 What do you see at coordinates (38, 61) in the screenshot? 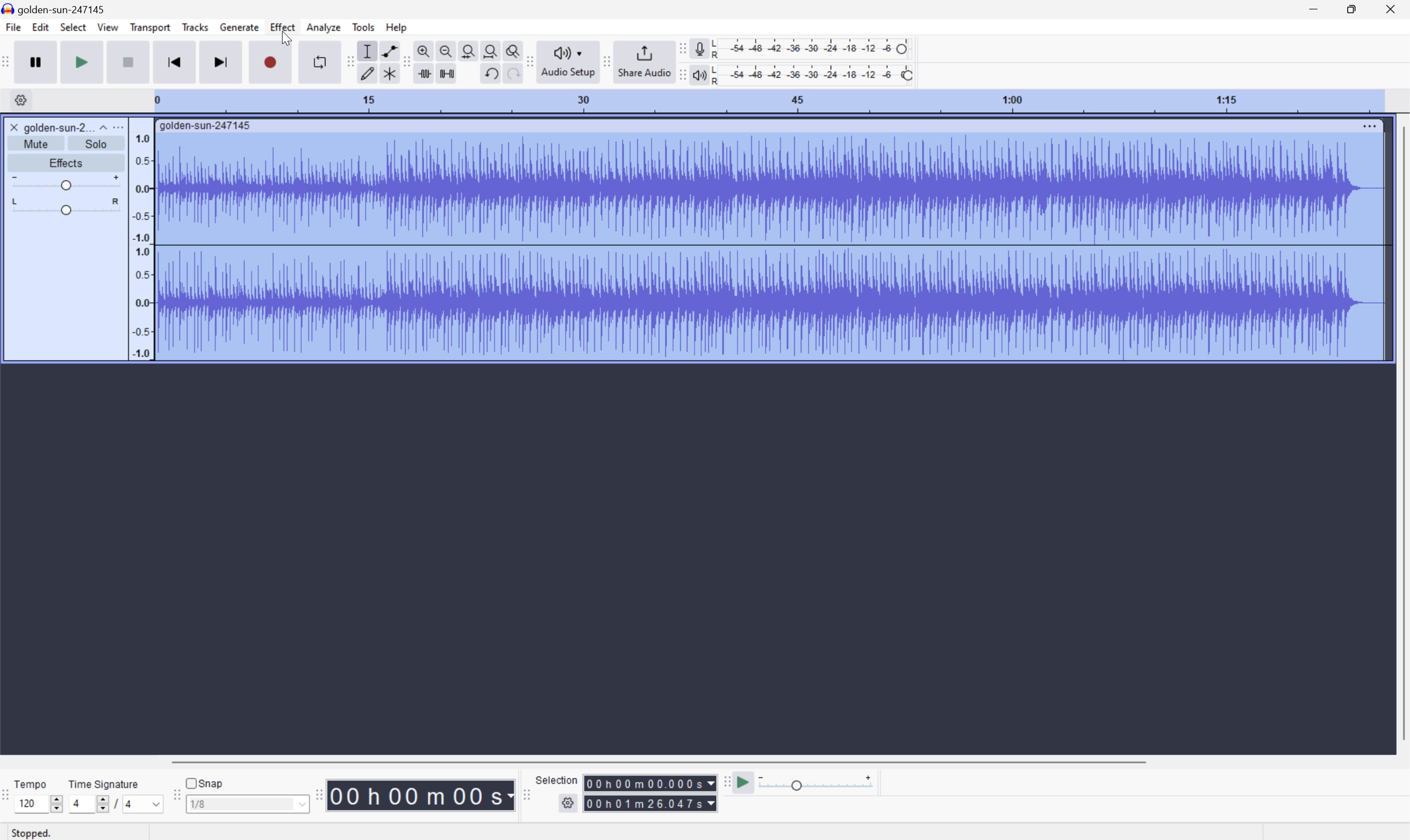
I see `Pause` at bounding box center [38, 61].